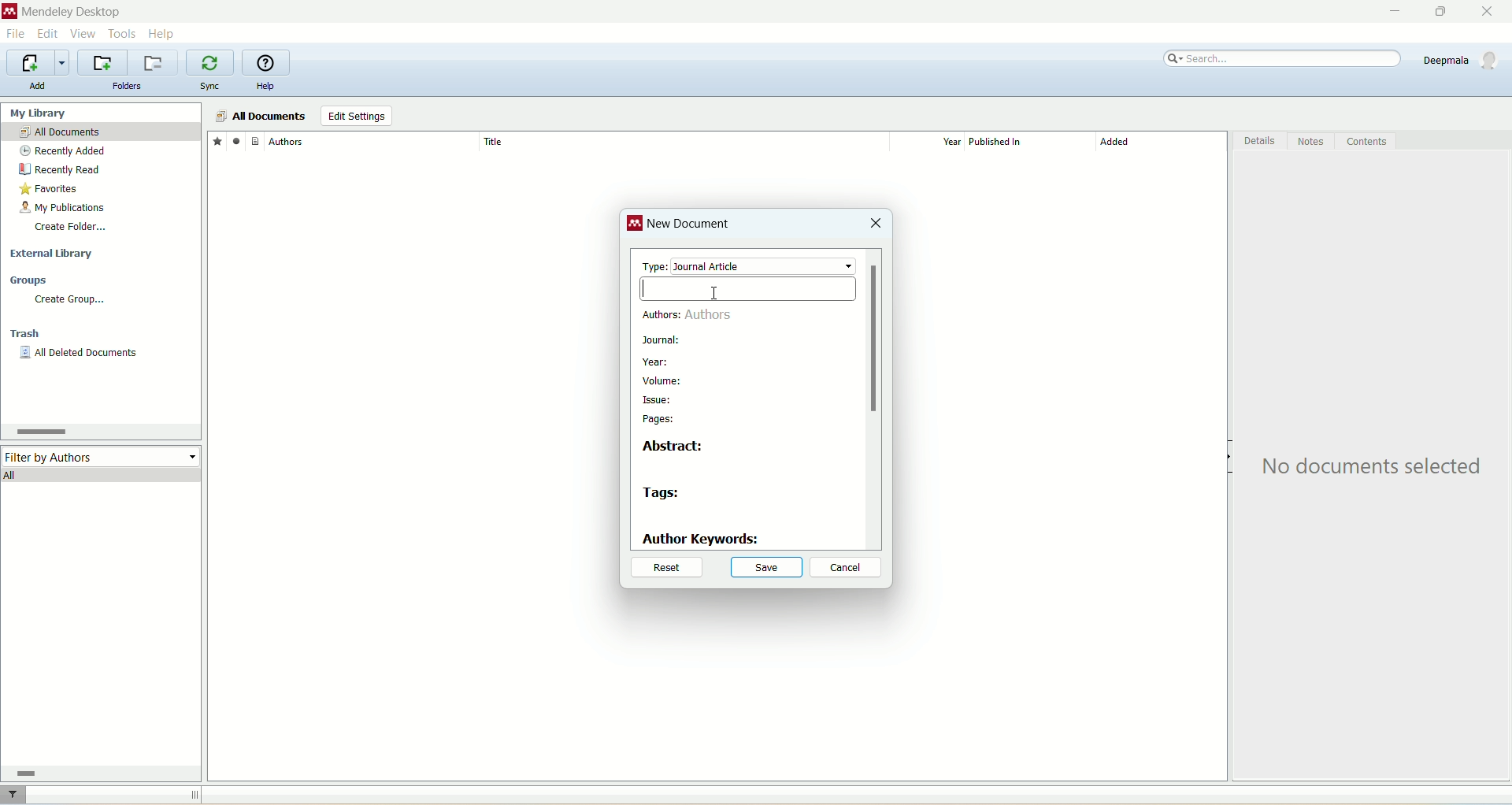 The height and width of the screenshot is (805, 1512). I want to click on vertical scroll bar, so click(873, 398).